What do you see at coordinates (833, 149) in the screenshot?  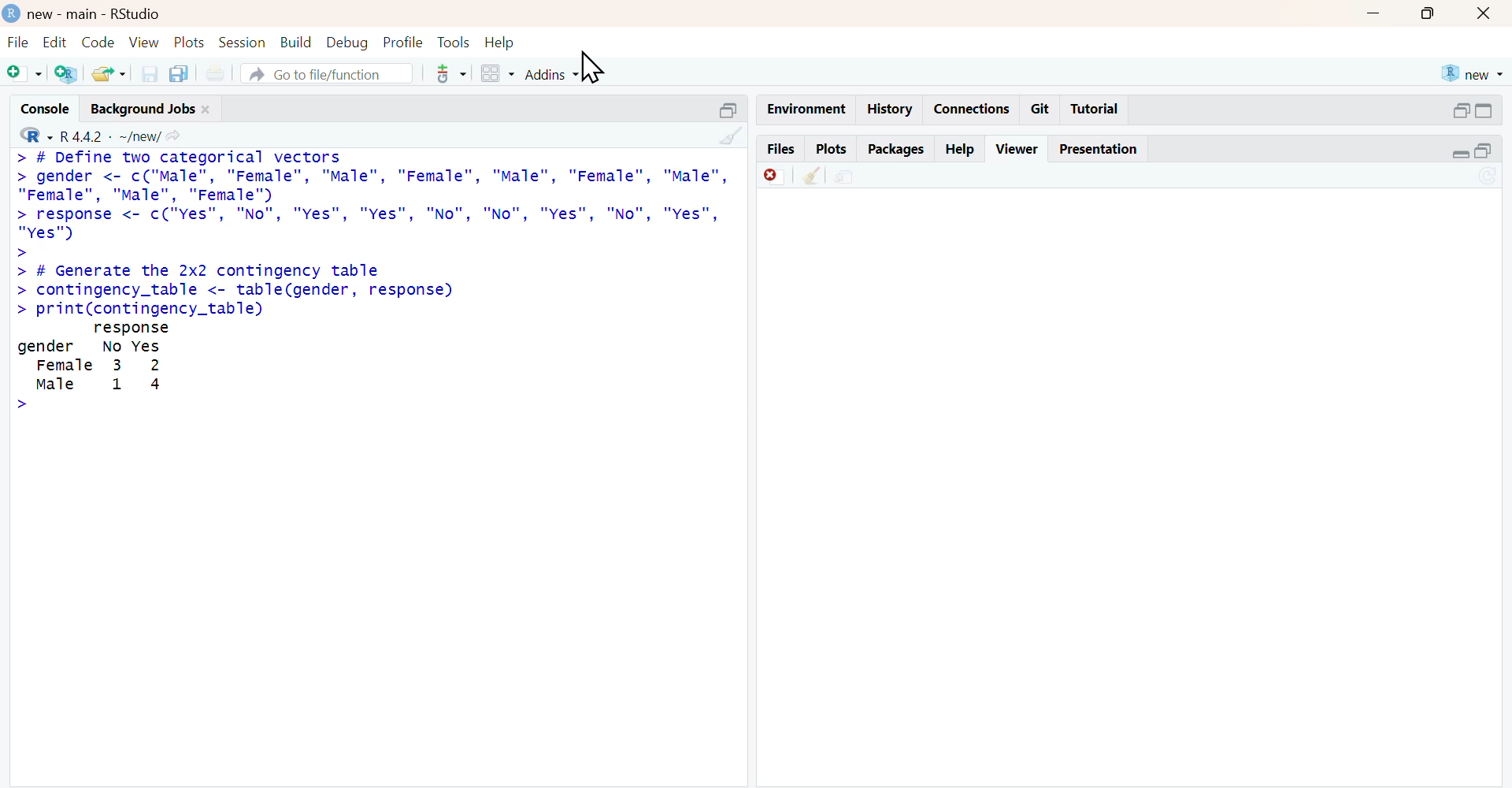 I see `plots` at bounding box center [833, 149].